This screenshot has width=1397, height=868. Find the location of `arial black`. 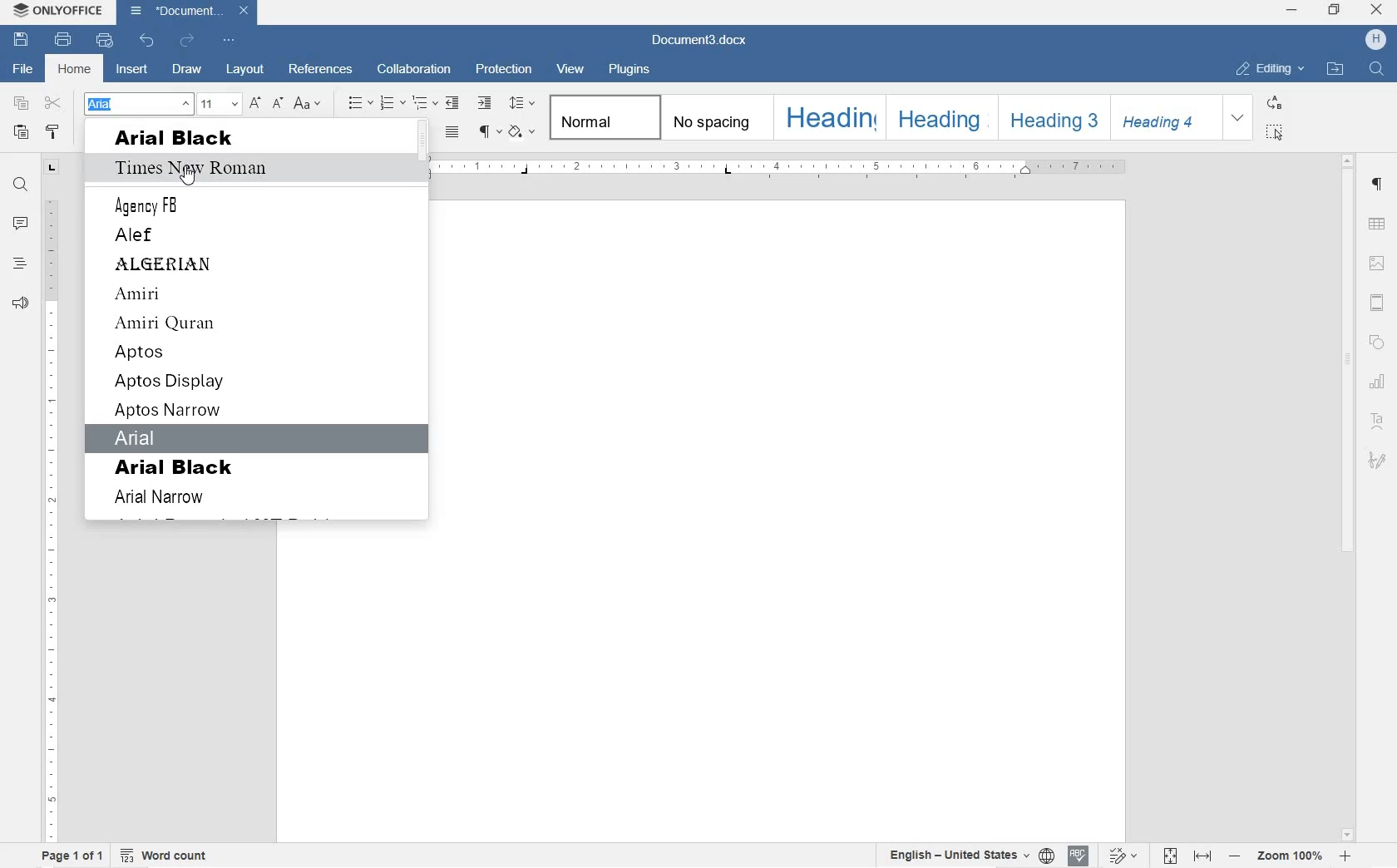

arial black is located at coordinates (184, 468).